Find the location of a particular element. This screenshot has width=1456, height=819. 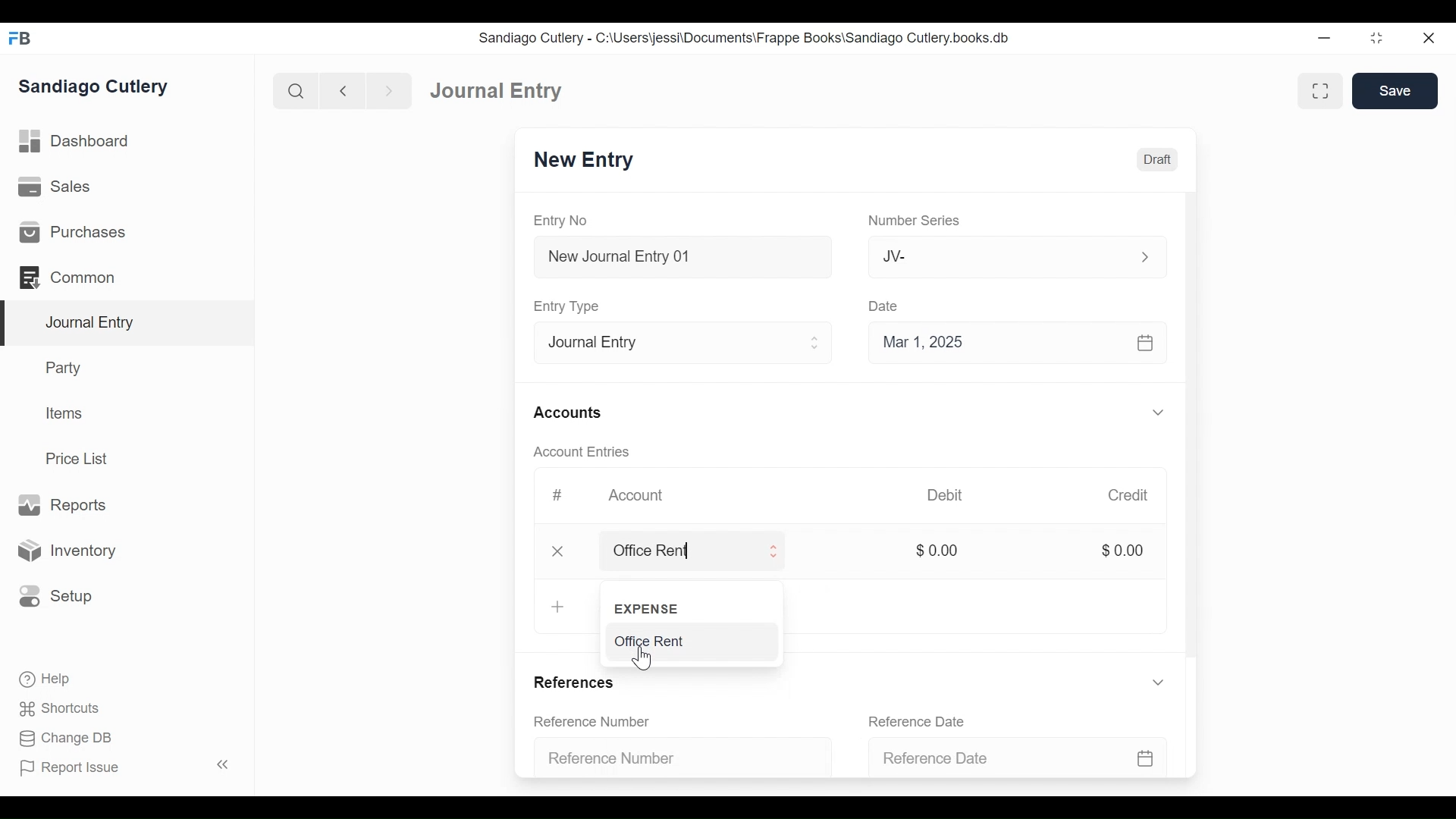

Entry No is located at coordinates (566, 221).